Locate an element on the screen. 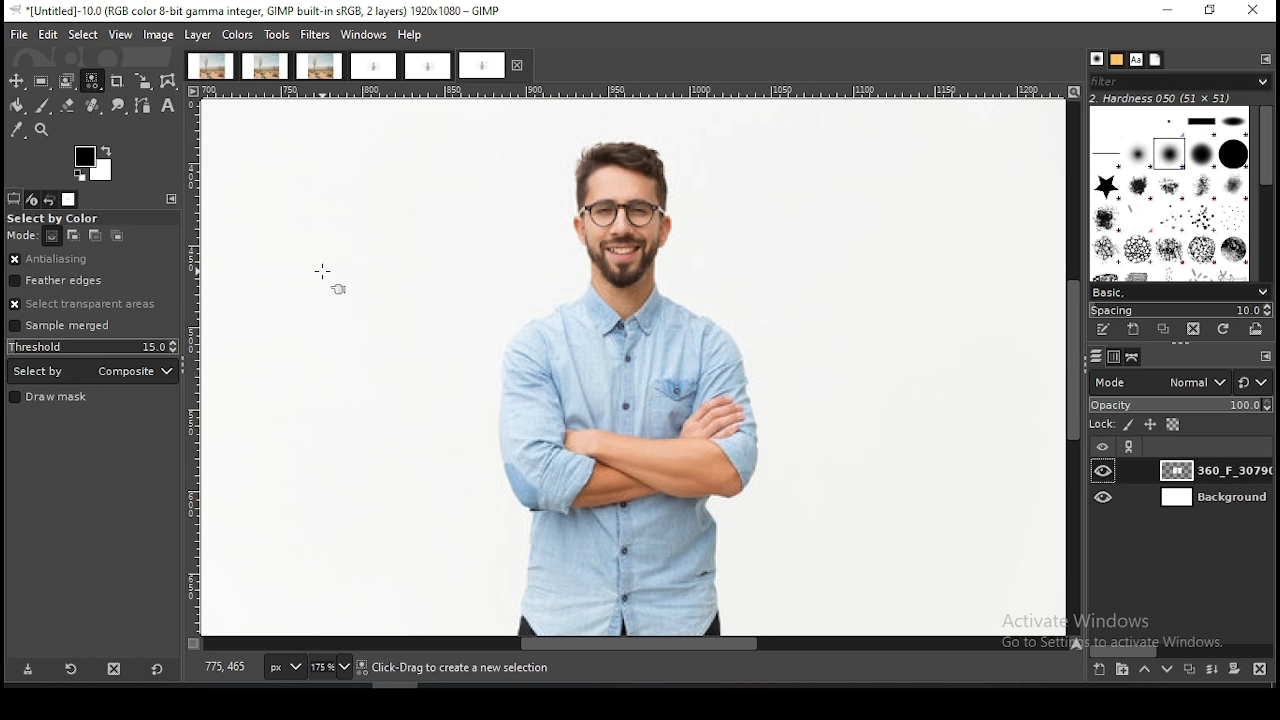 Image resolution: width=1280 pixels, height=720 pixels. crop tool is located at coordinates (117, 83).